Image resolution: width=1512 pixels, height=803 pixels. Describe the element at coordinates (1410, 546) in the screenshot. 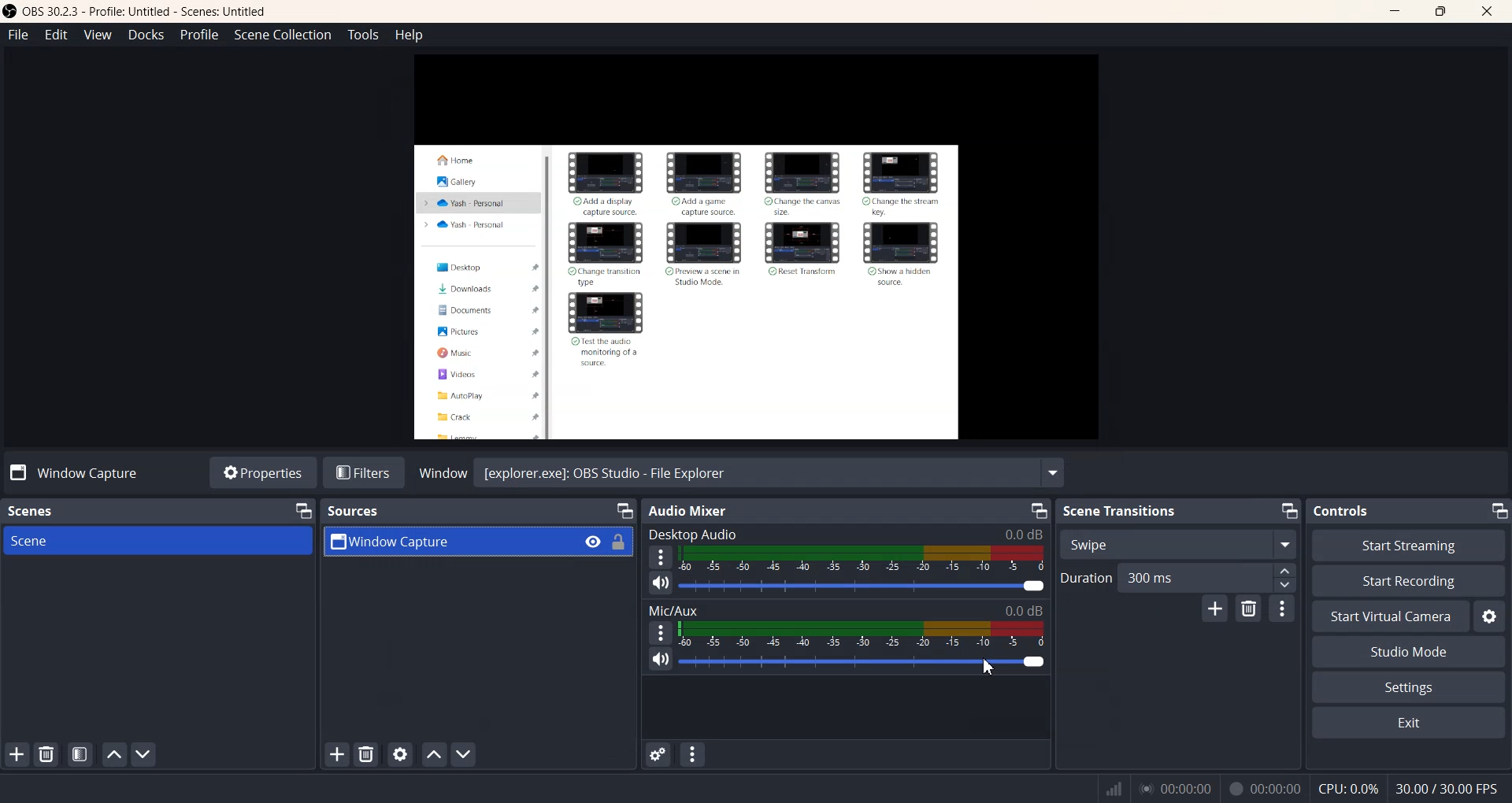

I see `Start Streaming` at that location.